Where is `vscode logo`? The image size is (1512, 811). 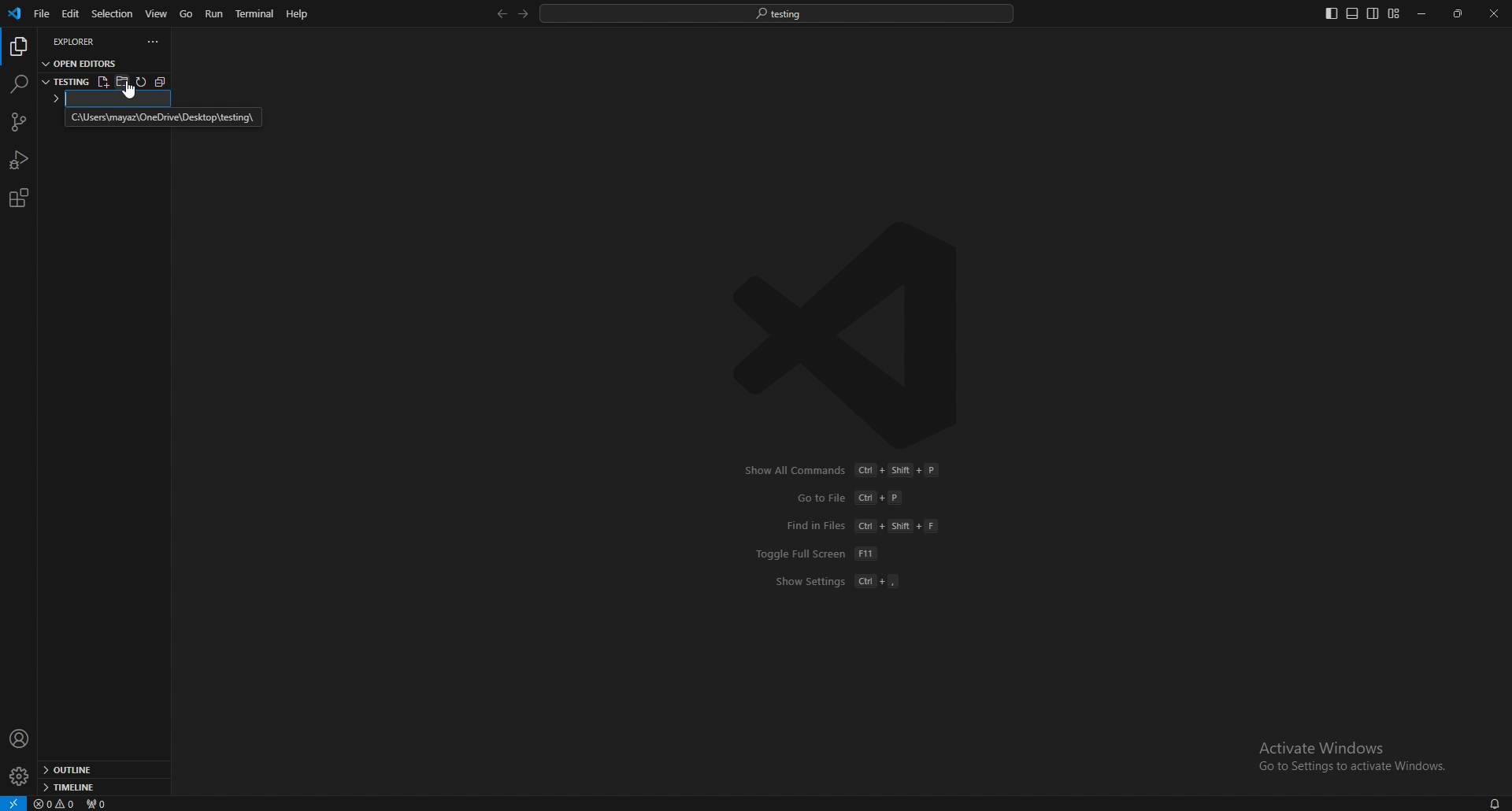 vscode logo is located at coordinates (855, 335).